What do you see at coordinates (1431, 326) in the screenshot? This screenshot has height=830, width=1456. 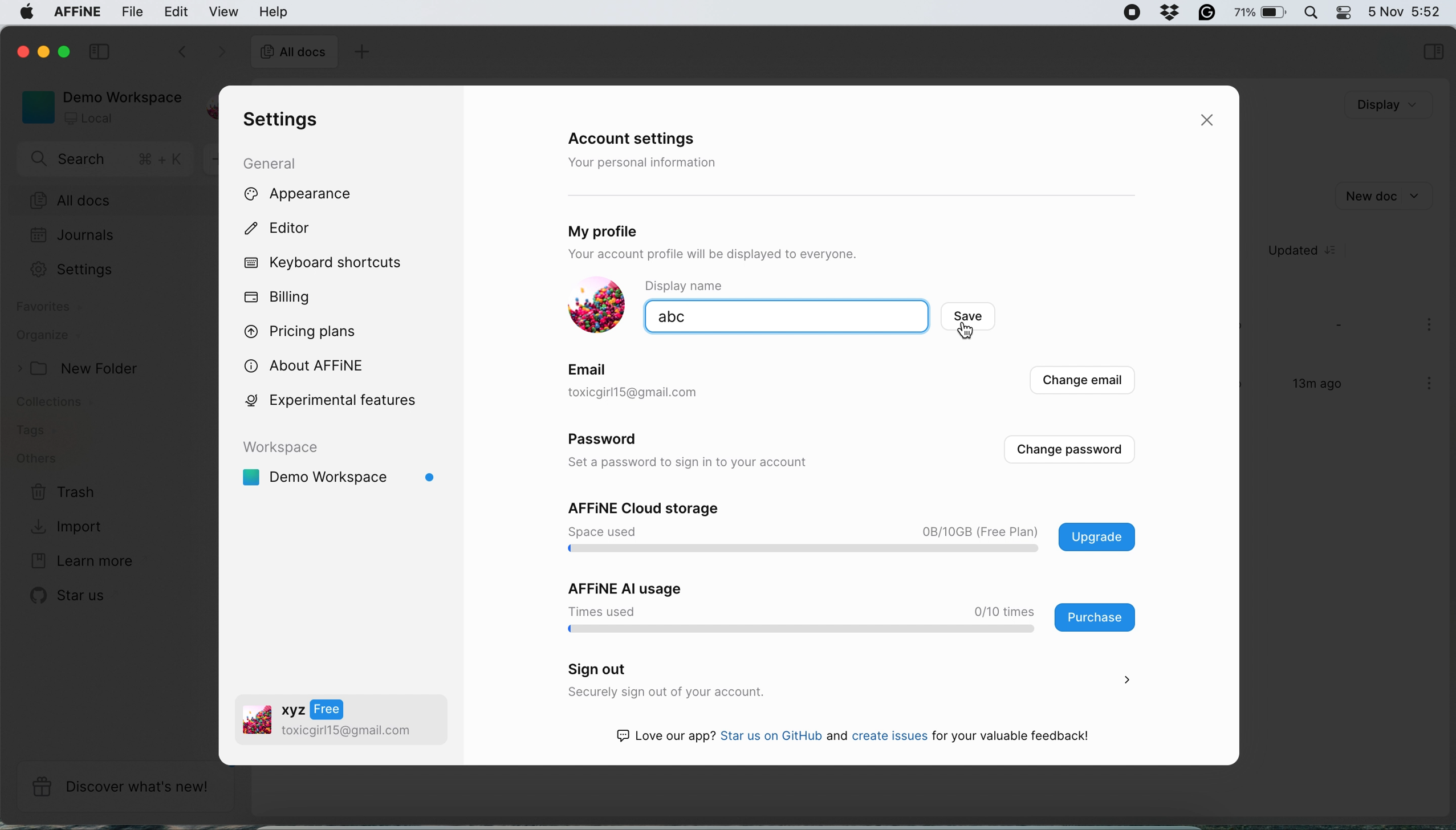 I see `more options` at bounding box center [1431, 326].